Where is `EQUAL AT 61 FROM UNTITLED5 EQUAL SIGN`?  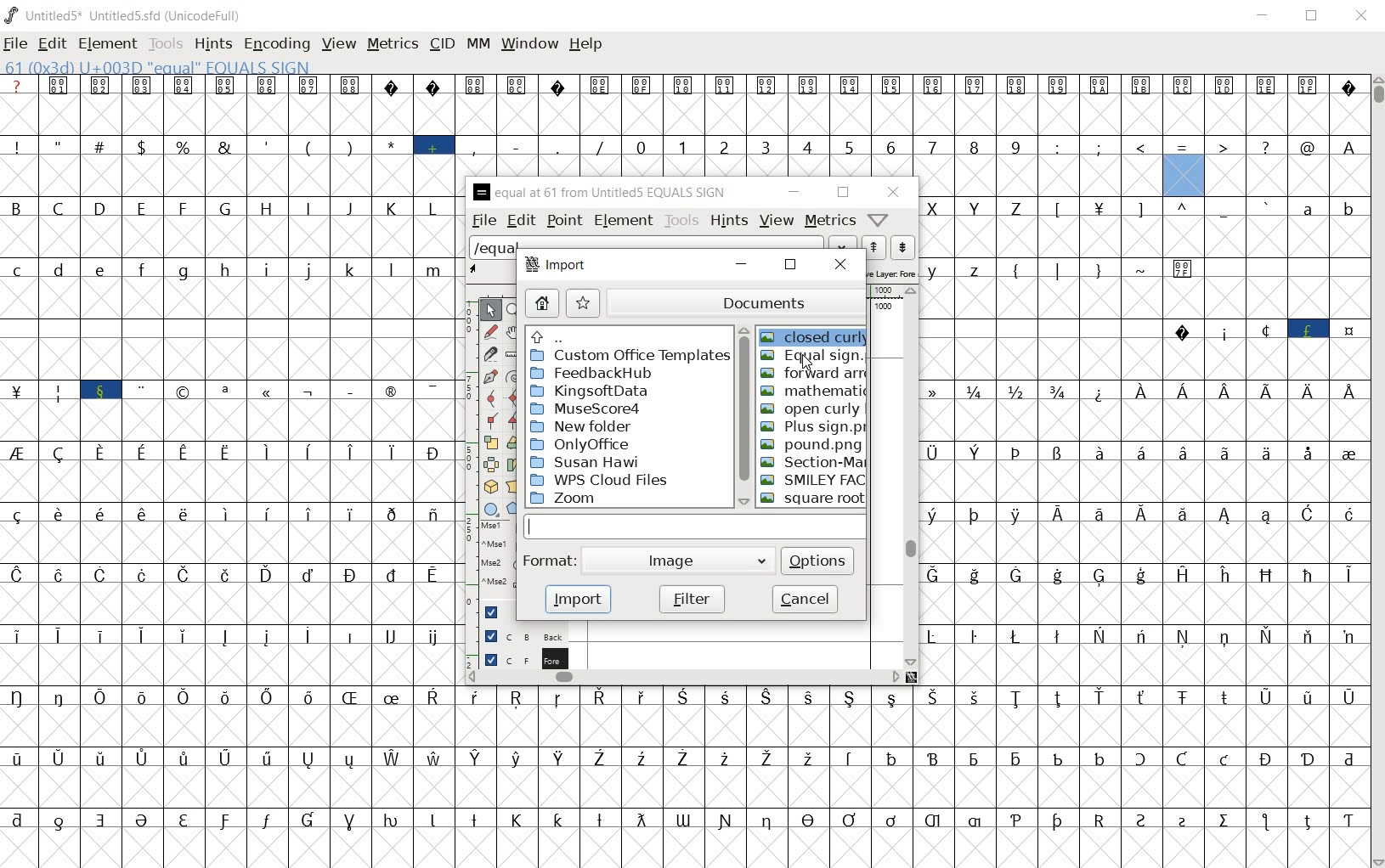 EQUAL AT 61 FROM UNTITLED5 EQUAL SIGN is located at coordinates (601, 192).